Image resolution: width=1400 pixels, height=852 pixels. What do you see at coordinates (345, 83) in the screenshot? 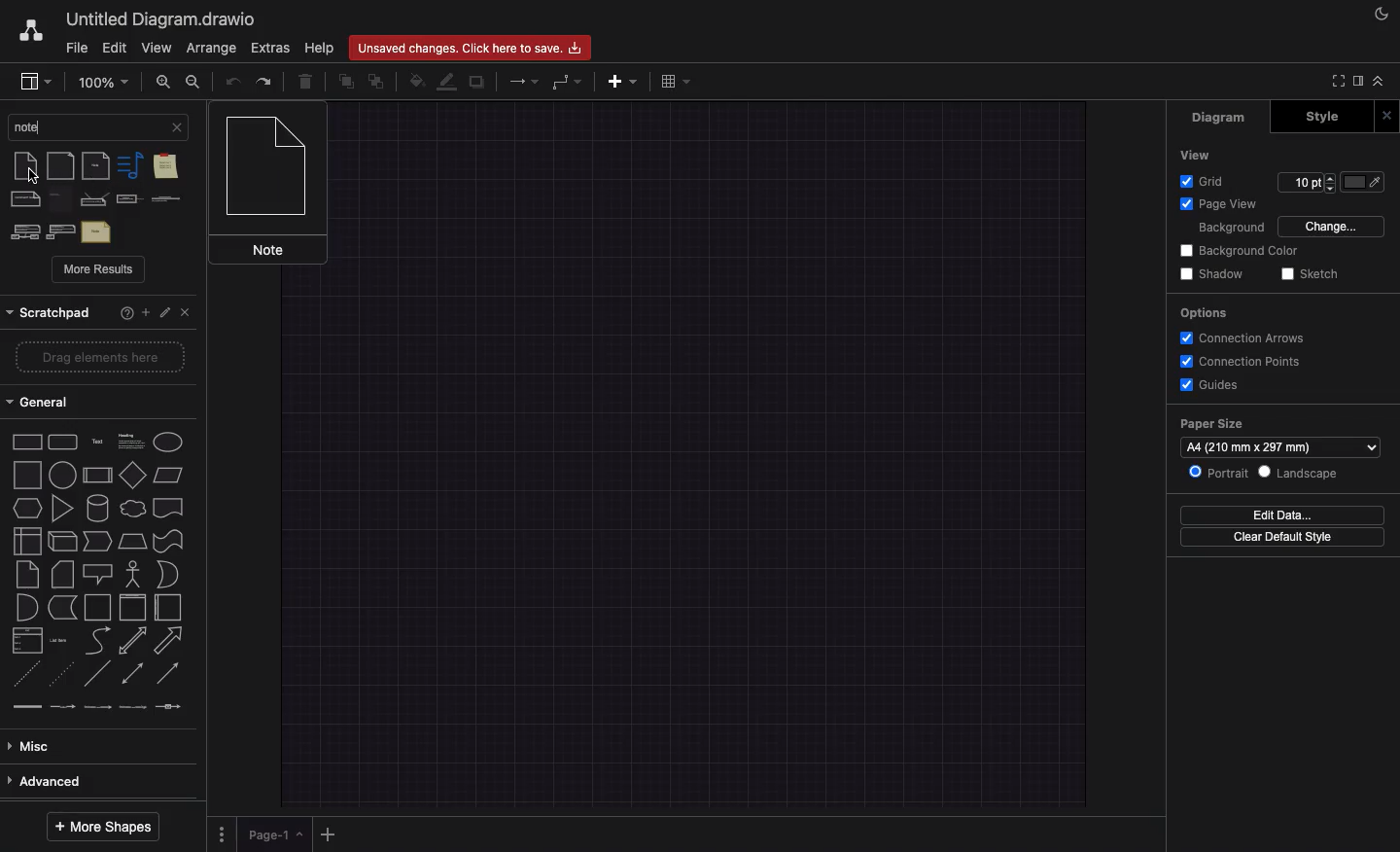
I see `To front` at bounding box center [345, 83].